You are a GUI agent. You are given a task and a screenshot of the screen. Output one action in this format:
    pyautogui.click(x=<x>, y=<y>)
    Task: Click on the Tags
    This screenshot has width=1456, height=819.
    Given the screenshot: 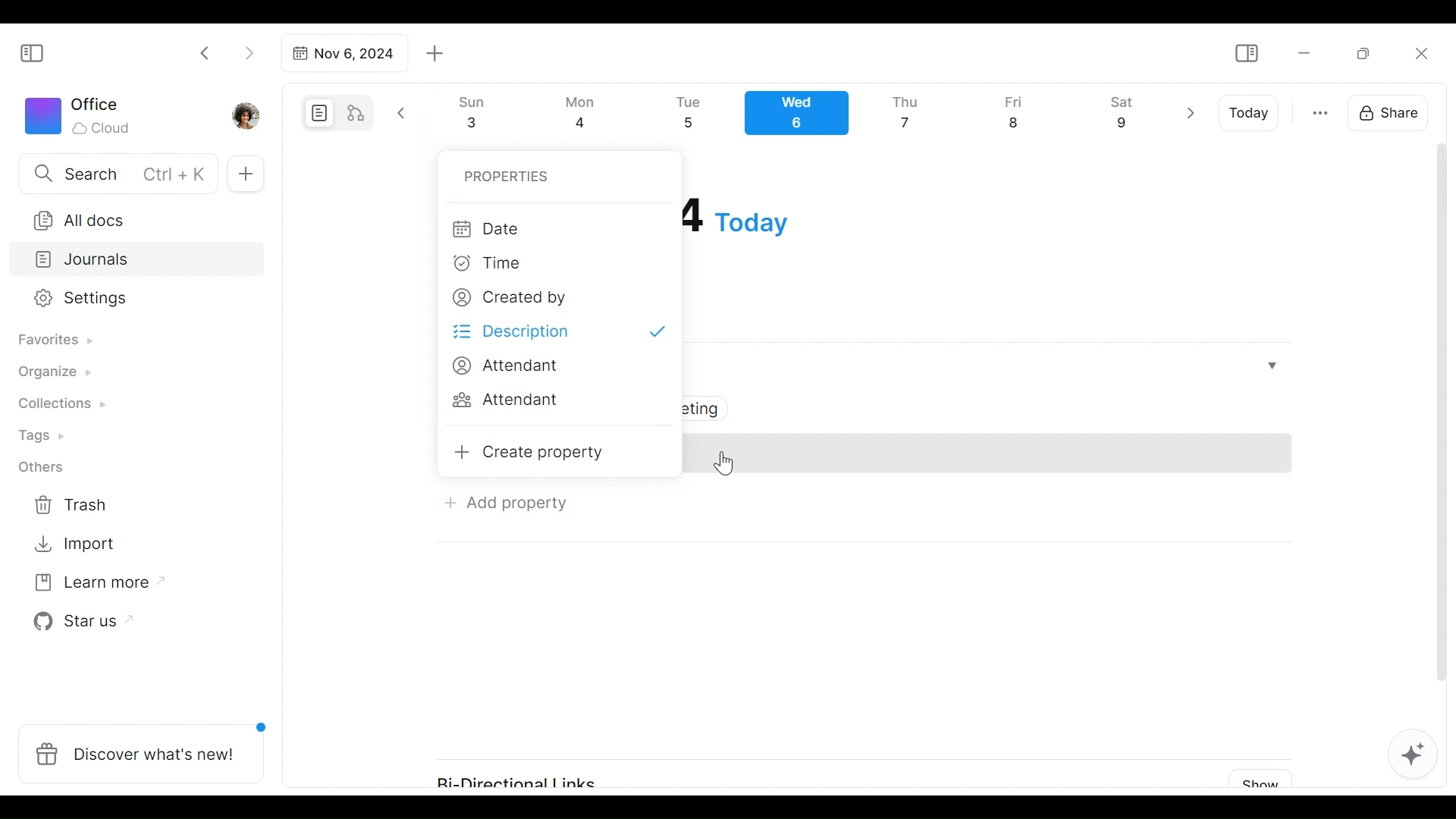 What is the action you would take?
    pyautogui.click(x=43, y=438)
    